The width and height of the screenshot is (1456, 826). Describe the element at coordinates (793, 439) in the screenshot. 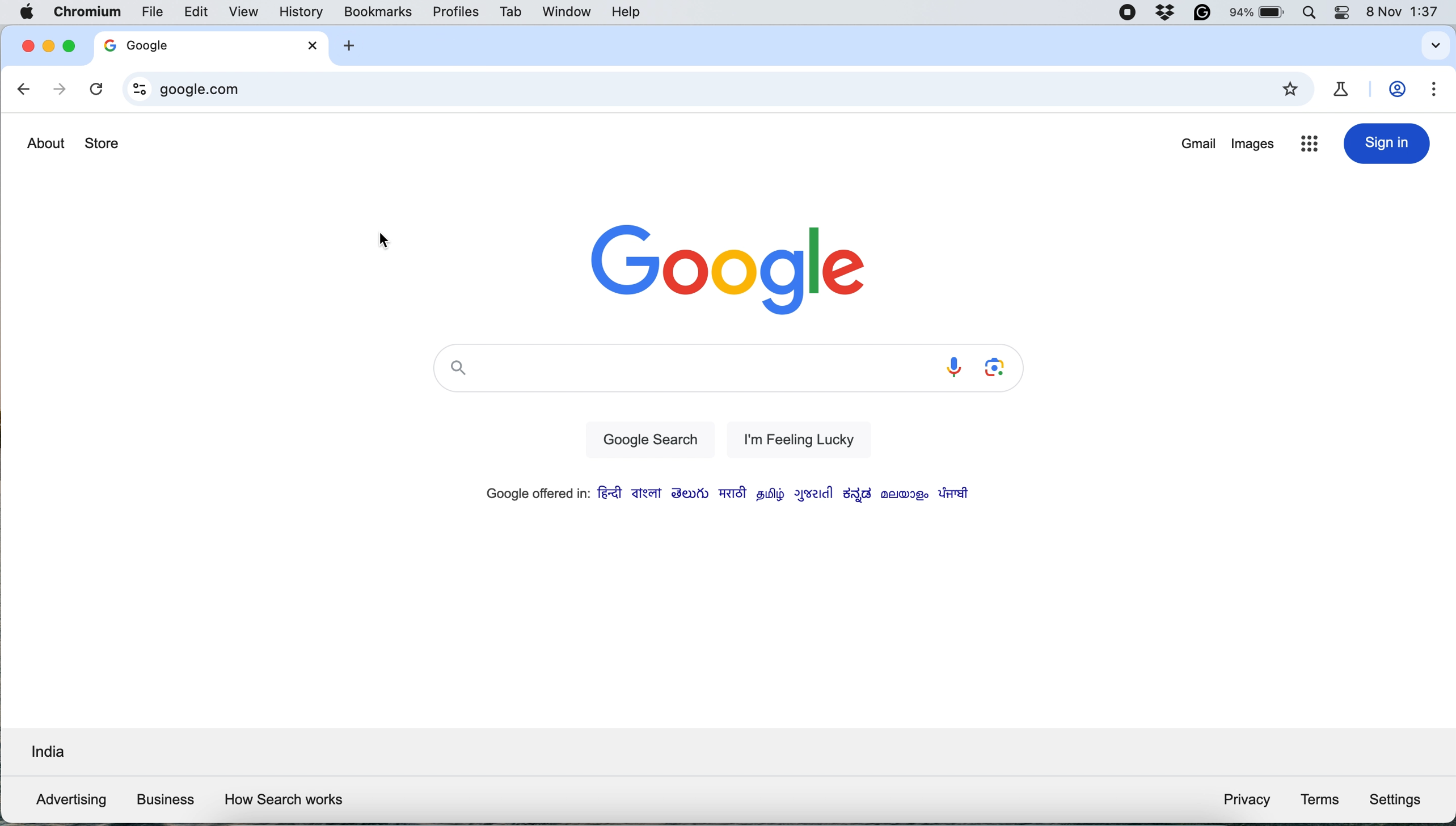

I see `i'm feeling lucky` at that location.